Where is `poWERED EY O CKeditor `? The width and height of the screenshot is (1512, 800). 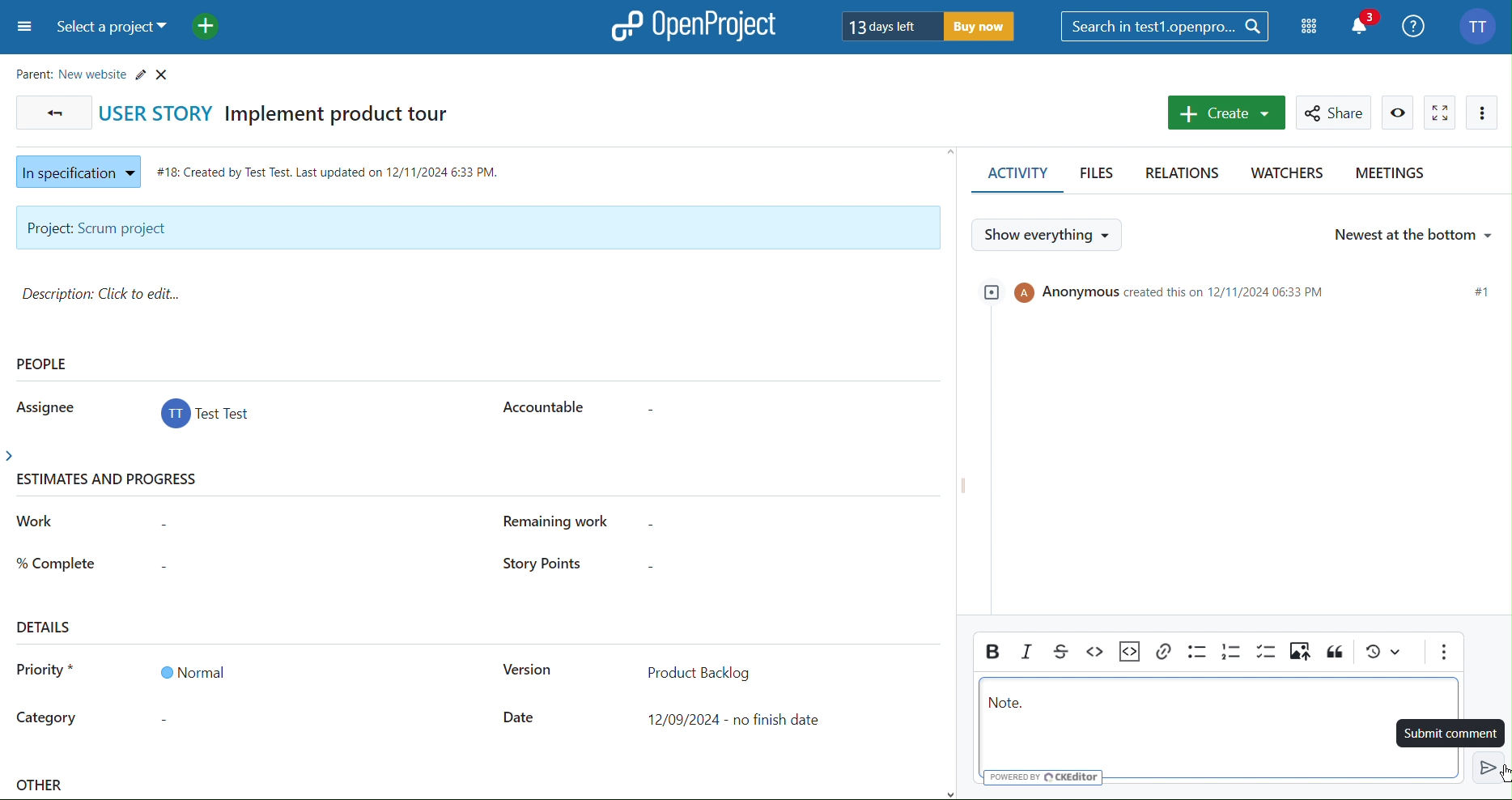 poWERED EY O CKeditor  is located at coordinates (1047, 777).